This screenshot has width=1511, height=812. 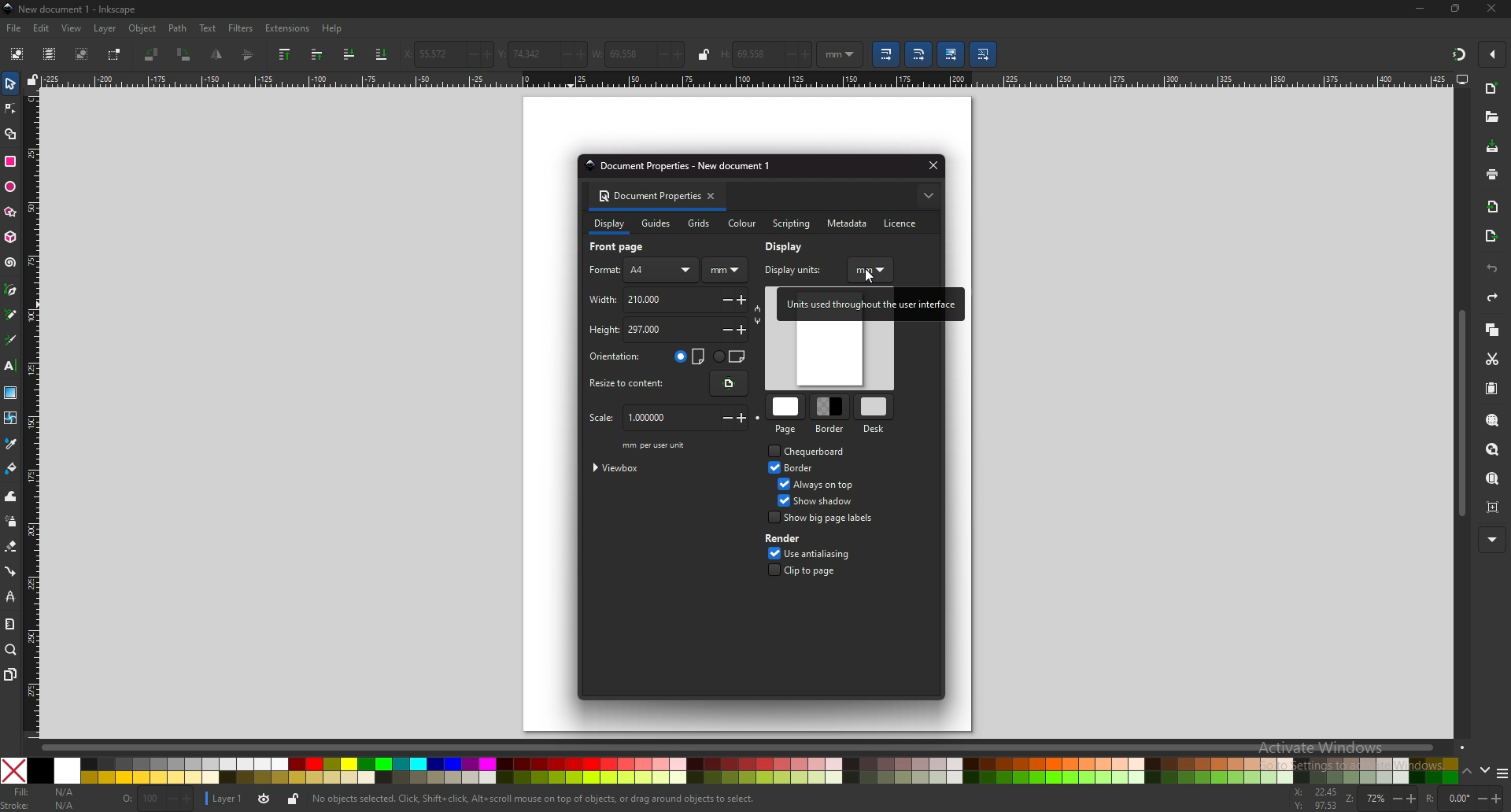 I want to click on paste, so click(x=1493, y=389).